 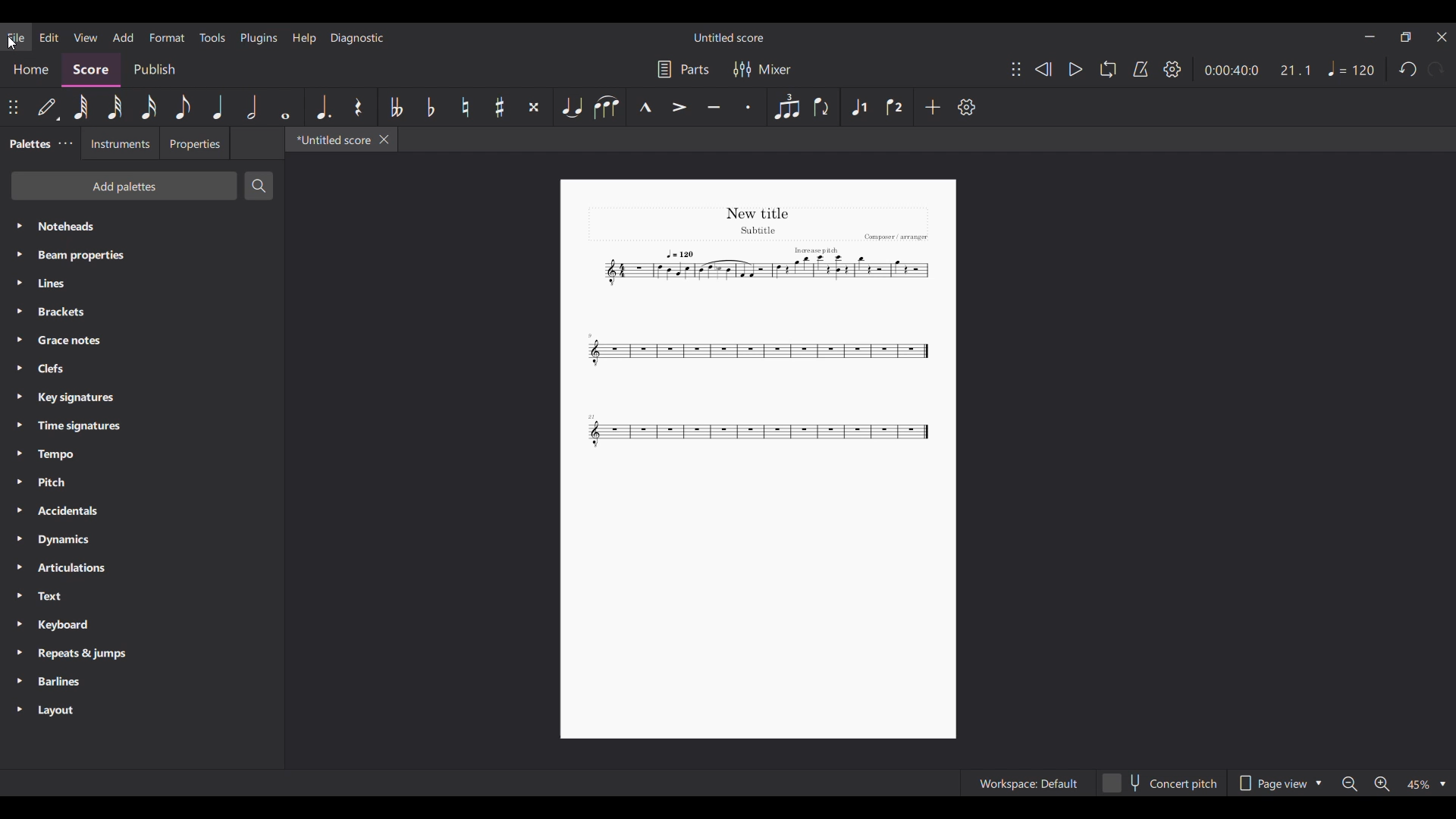 What do you see at coordinates (966, 107) in the screenshot?
I see `Settings` at bounding box center [966, 107].